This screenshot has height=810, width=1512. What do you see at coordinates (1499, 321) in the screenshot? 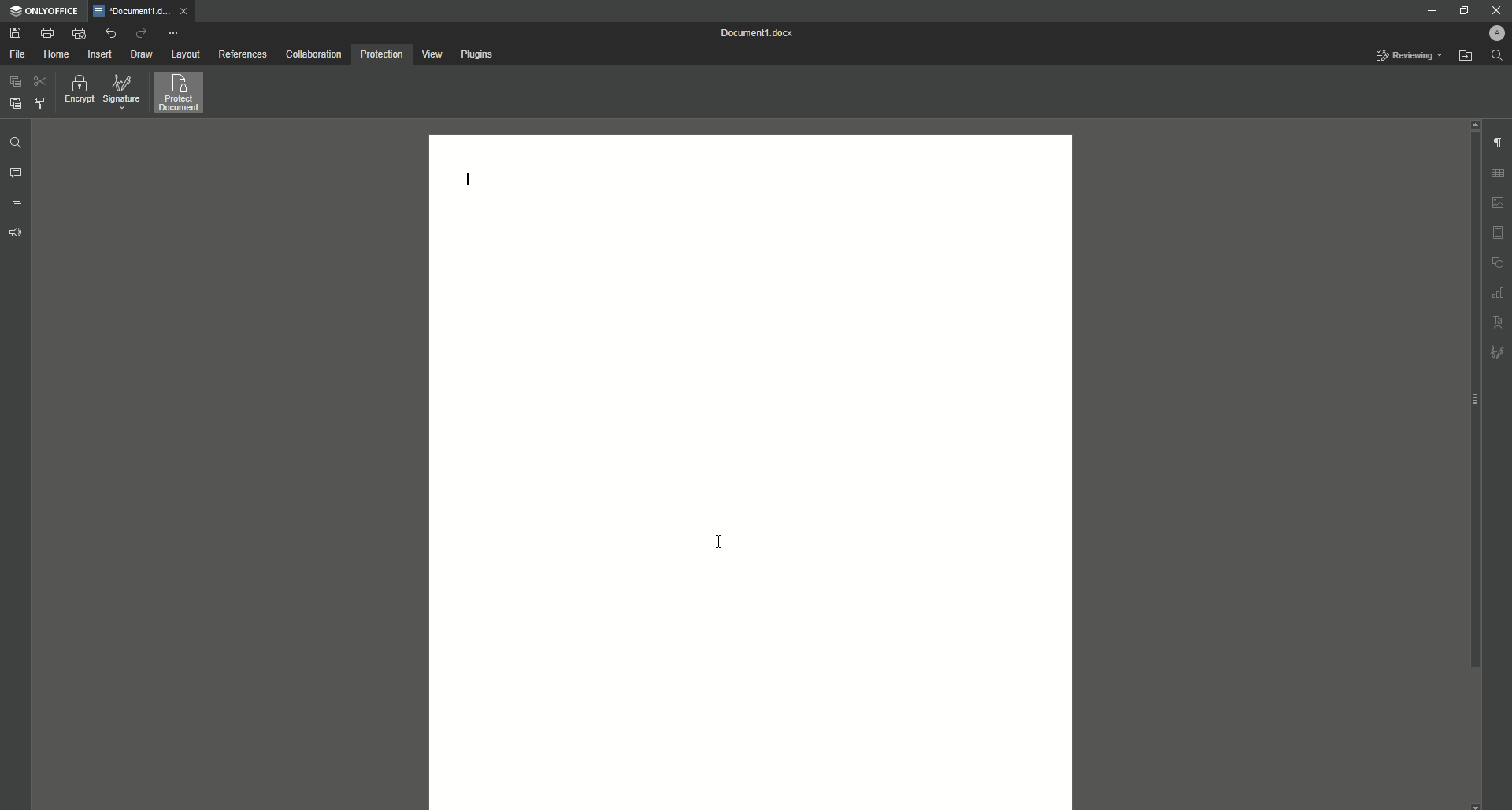
I see `Text Art settings` at bounding box center [1499, 321].